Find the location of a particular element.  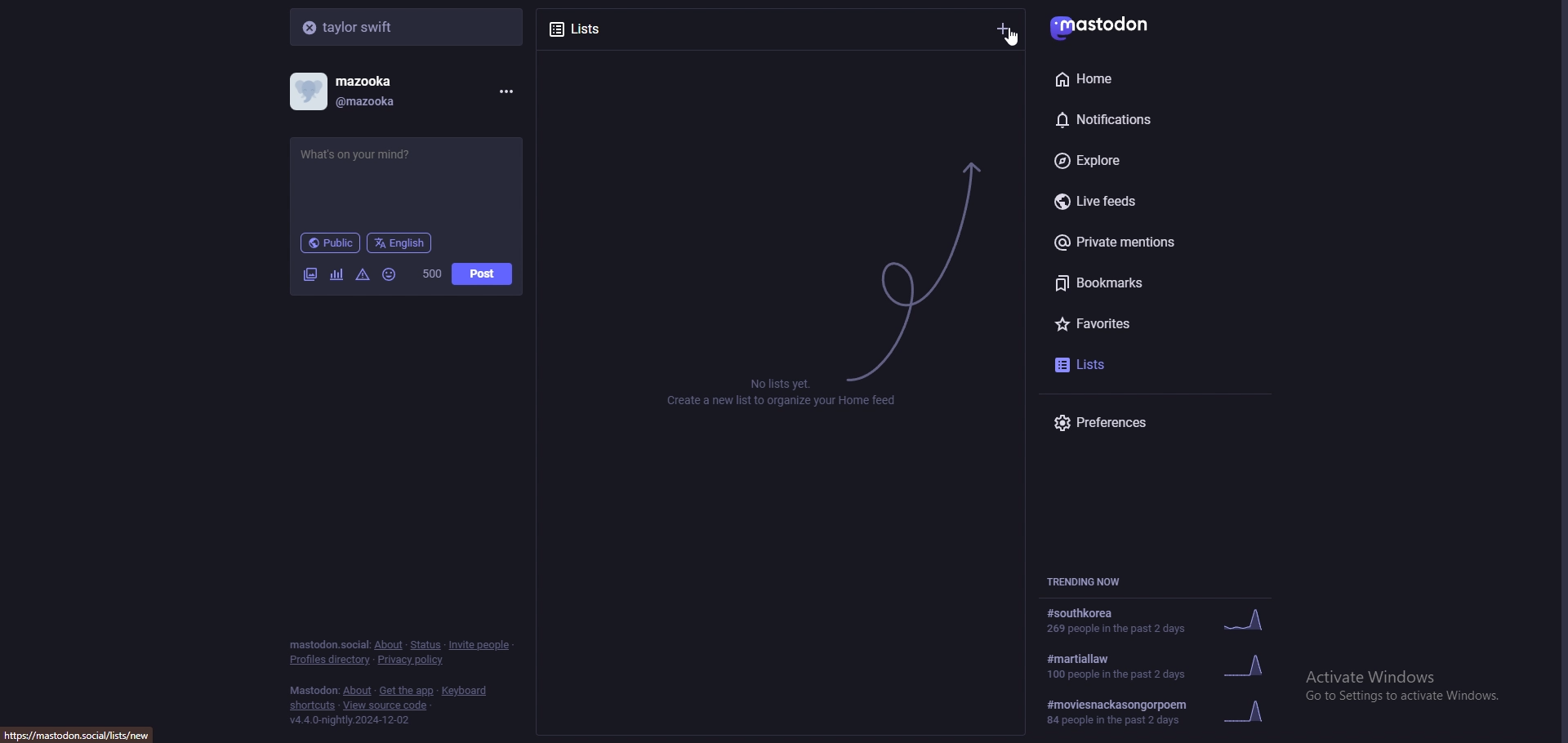

emoji is located at coordinates (390, 274).